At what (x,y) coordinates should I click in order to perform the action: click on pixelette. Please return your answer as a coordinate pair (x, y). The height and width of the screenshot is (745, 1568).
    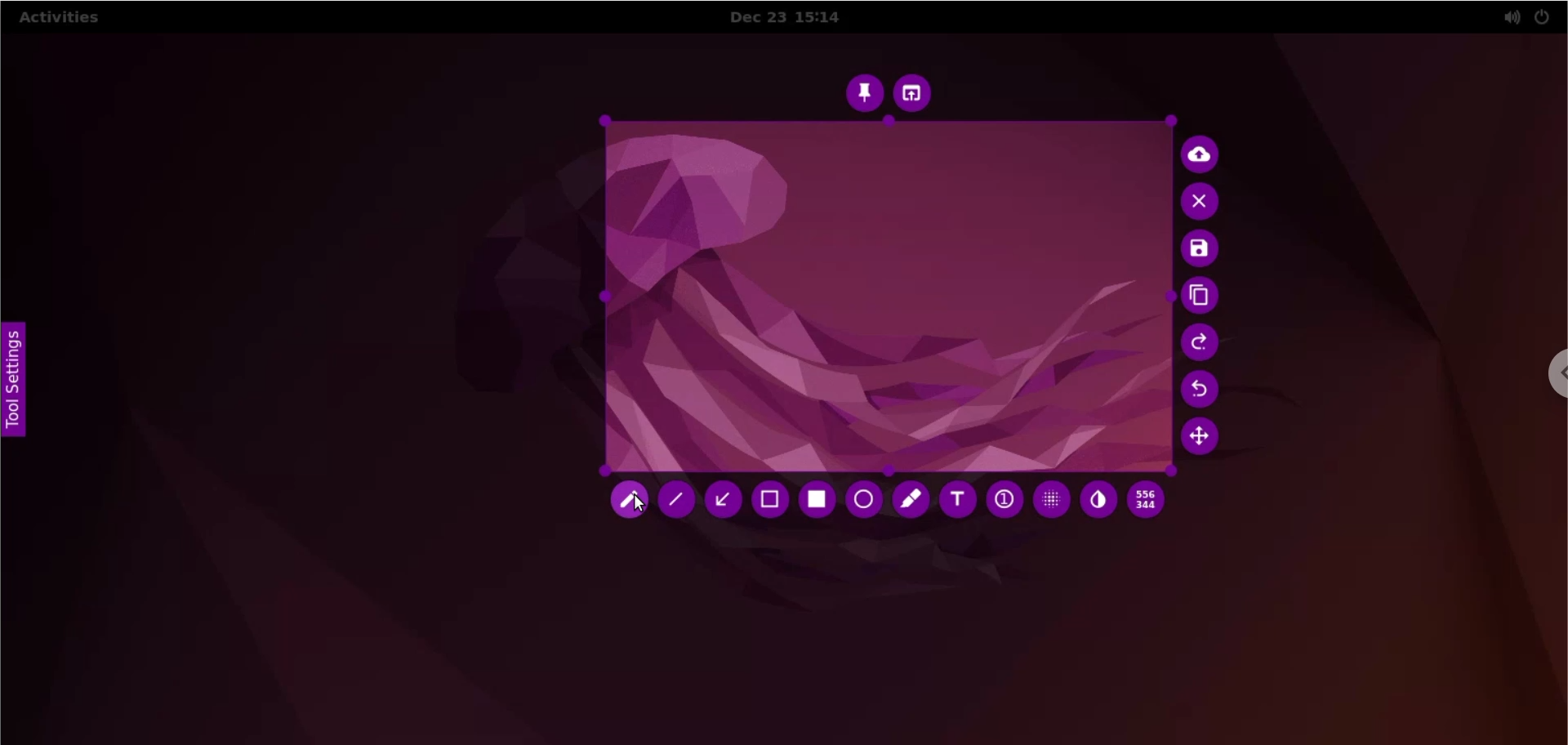
    Looking at the image, I should click on (1053, 502).